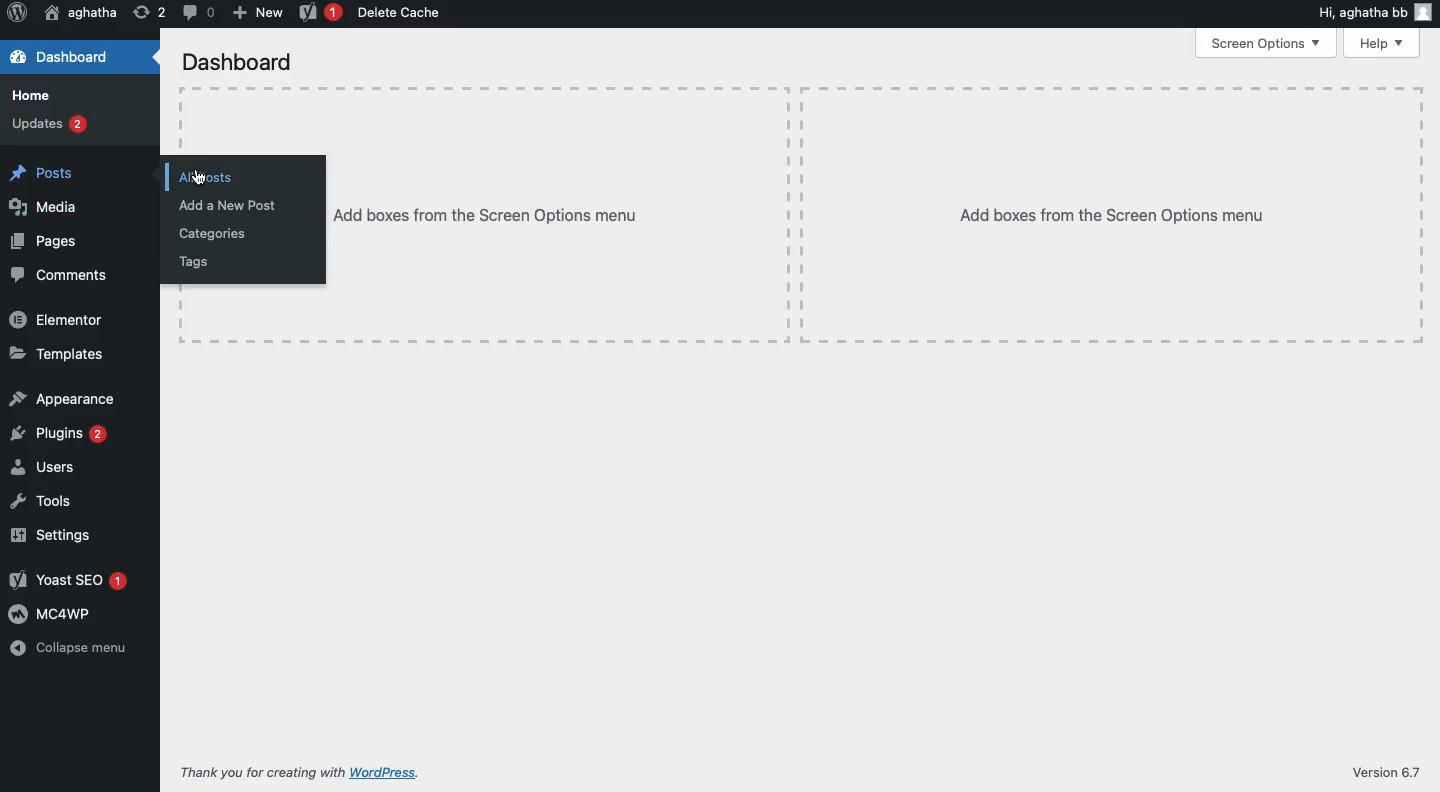 This screenshot has height=792, width=1440. Describe the element at coordinates (200, 178) in the screenshot. I see `Cursor` at that location.